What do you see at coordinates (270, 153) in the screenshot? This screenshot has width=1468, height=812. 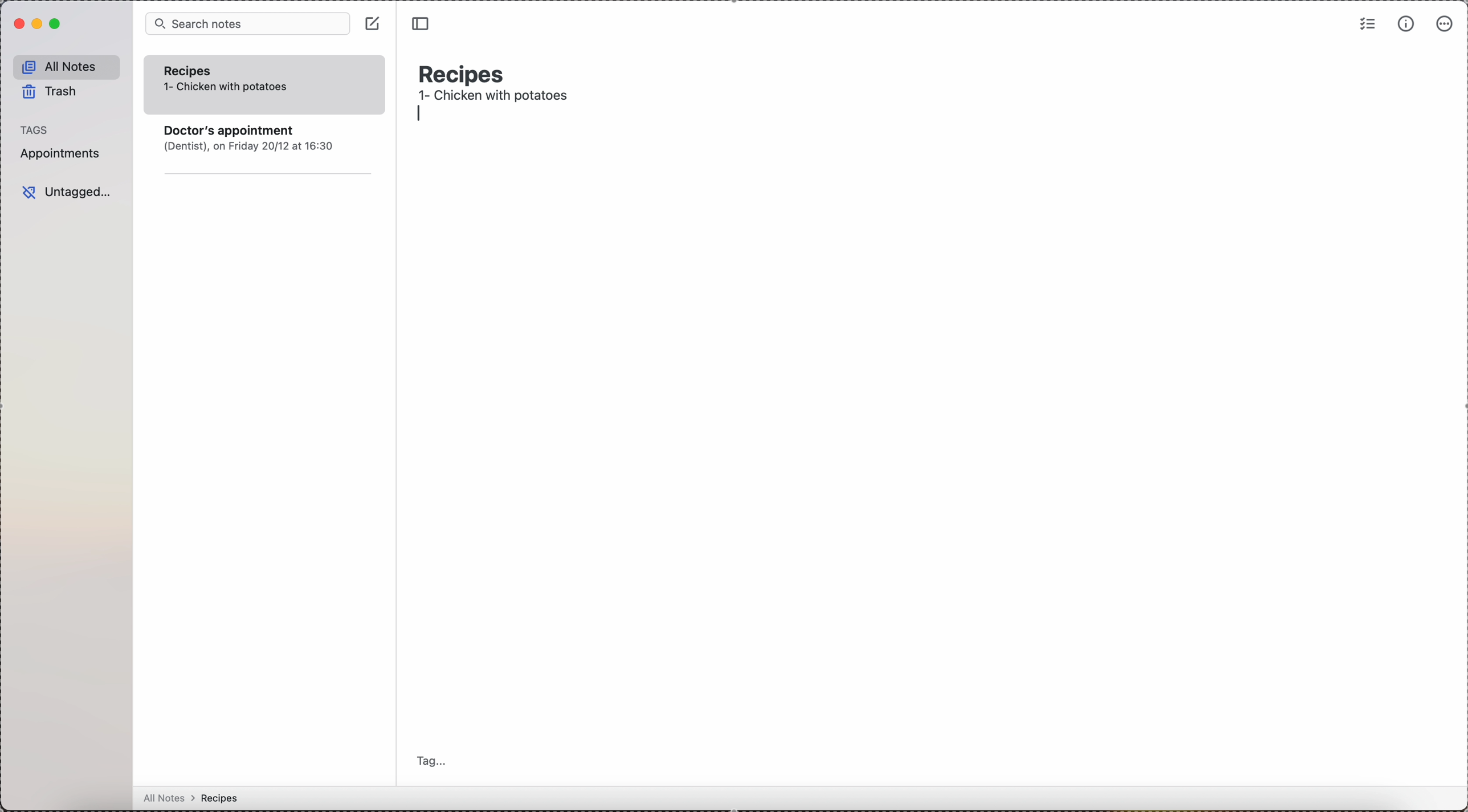 I see `note` at bounding box center [270, 153].